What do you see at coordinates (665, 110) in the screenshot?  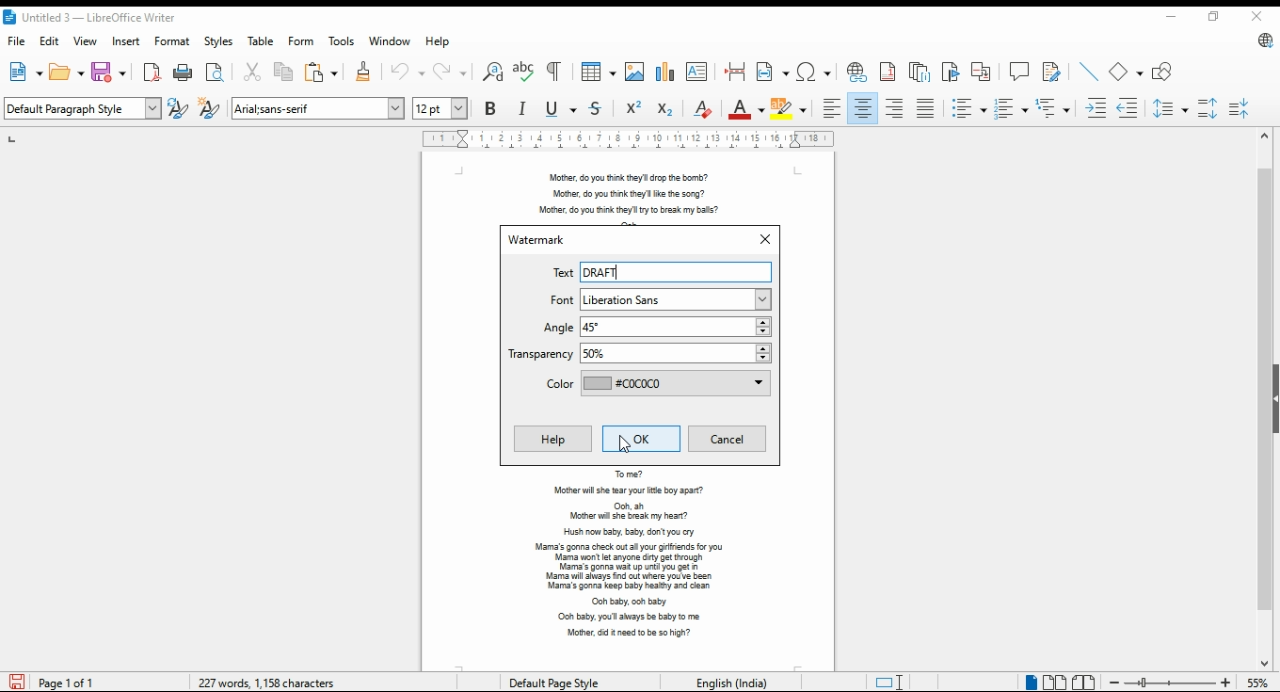 I see `subscript` at bounding box center [665, 110].